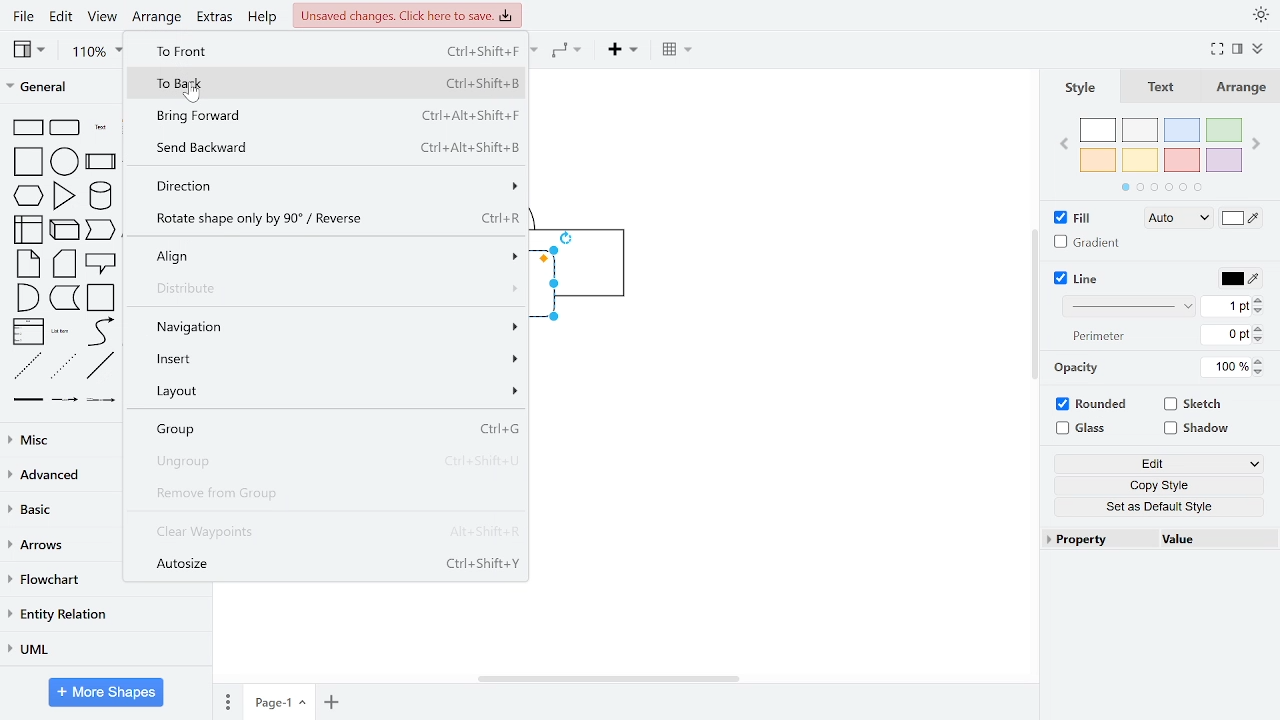  What do you see at coordinates (1217, 49) in the screenshot?
I see `full screen` at bounding box center [1217, 49].